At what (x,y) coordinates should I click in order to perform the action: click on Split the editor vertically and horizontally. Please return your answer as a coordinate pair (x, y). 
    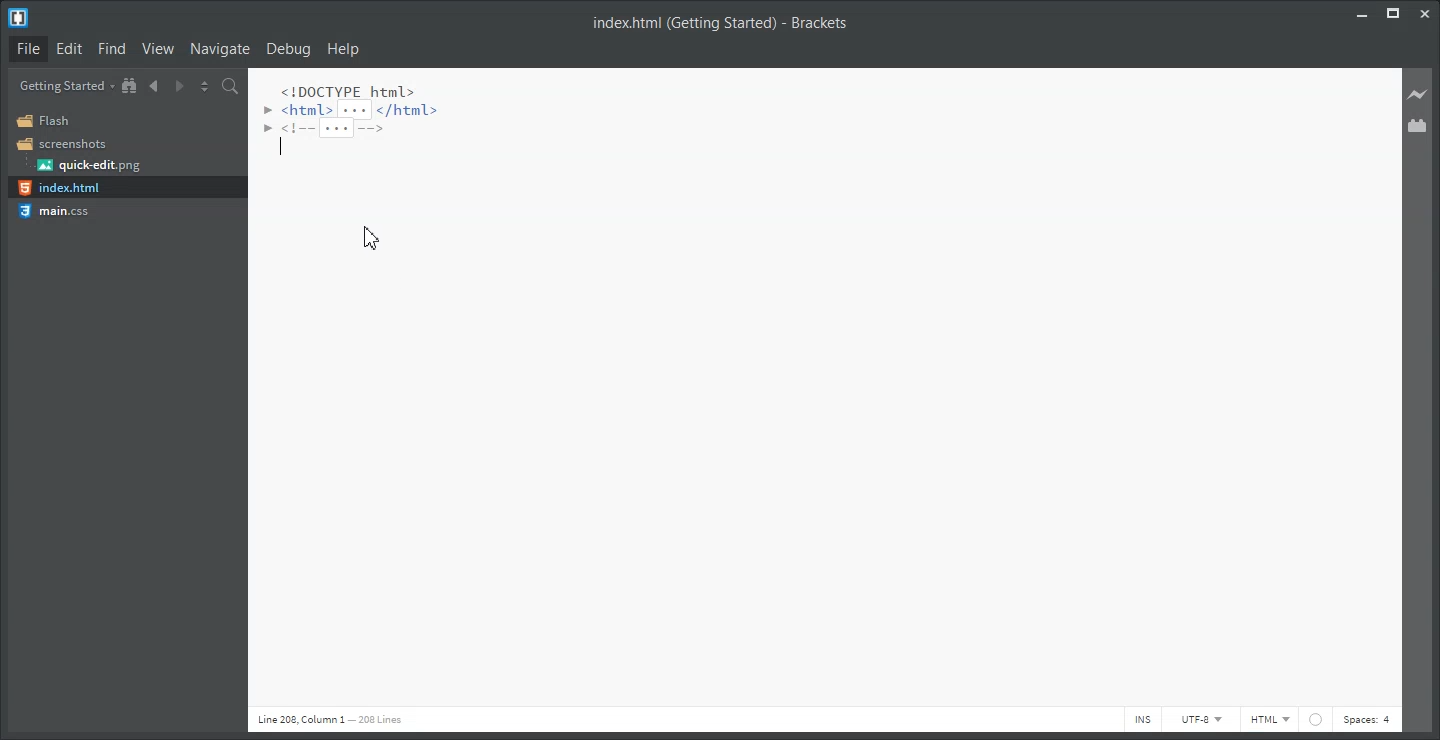
    Looking at the image, I should click on (204, 86).